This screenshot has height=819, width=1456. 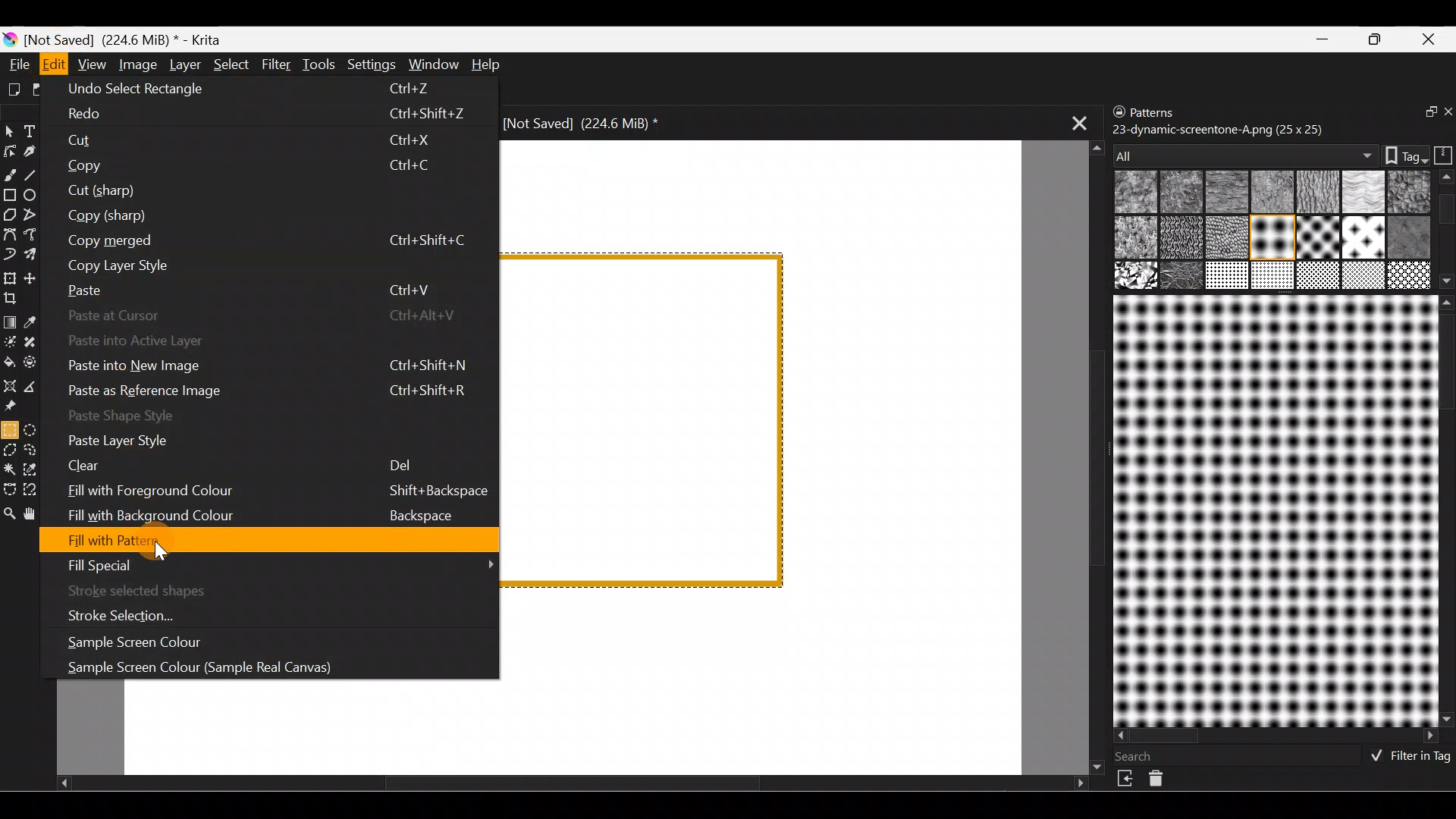 I want to click on Ellipse tool, so click(x=37, y=195).